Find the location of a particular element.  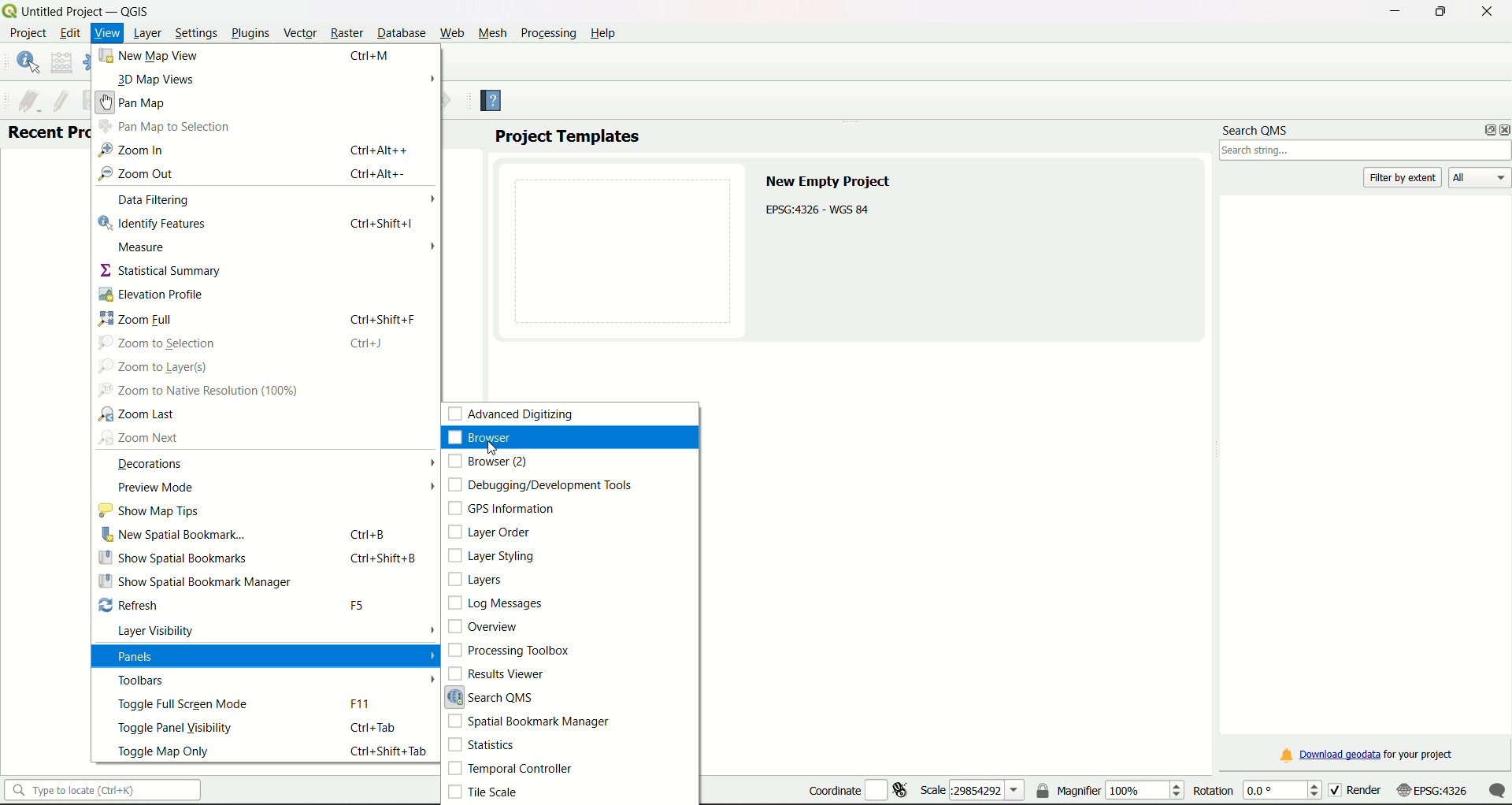

Toolbars is located at coordinates (147, 681).